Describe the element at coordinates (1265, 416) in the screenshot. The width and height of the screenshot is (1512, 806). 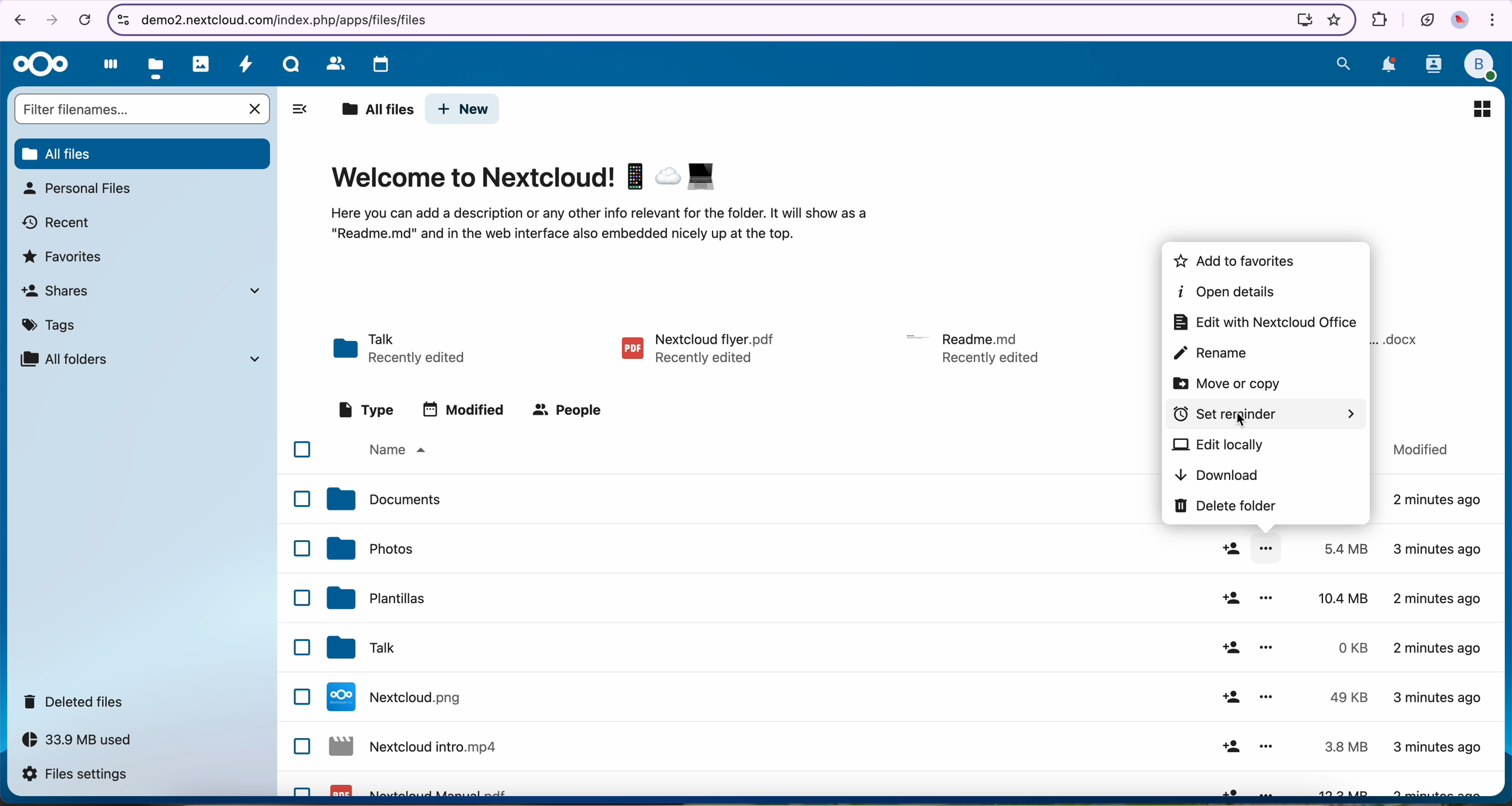
I see `click on set reminder` at that location.